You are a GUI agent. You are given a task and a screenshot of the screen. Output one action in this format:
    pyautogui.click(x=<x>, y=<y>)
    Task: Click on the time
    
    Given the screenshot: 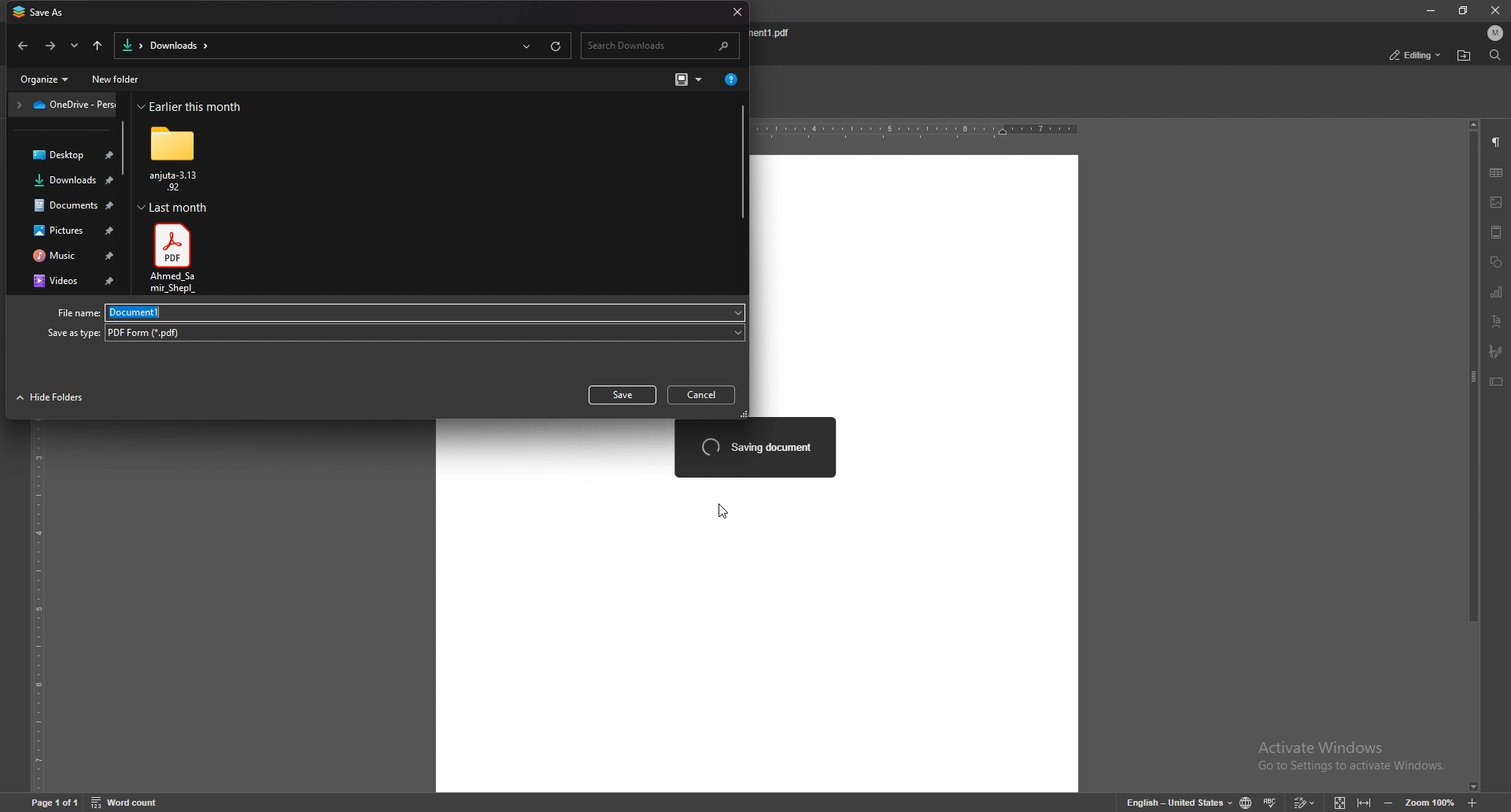 What is the action you would take?
    pyautogui.click(x=172, y=208)
    